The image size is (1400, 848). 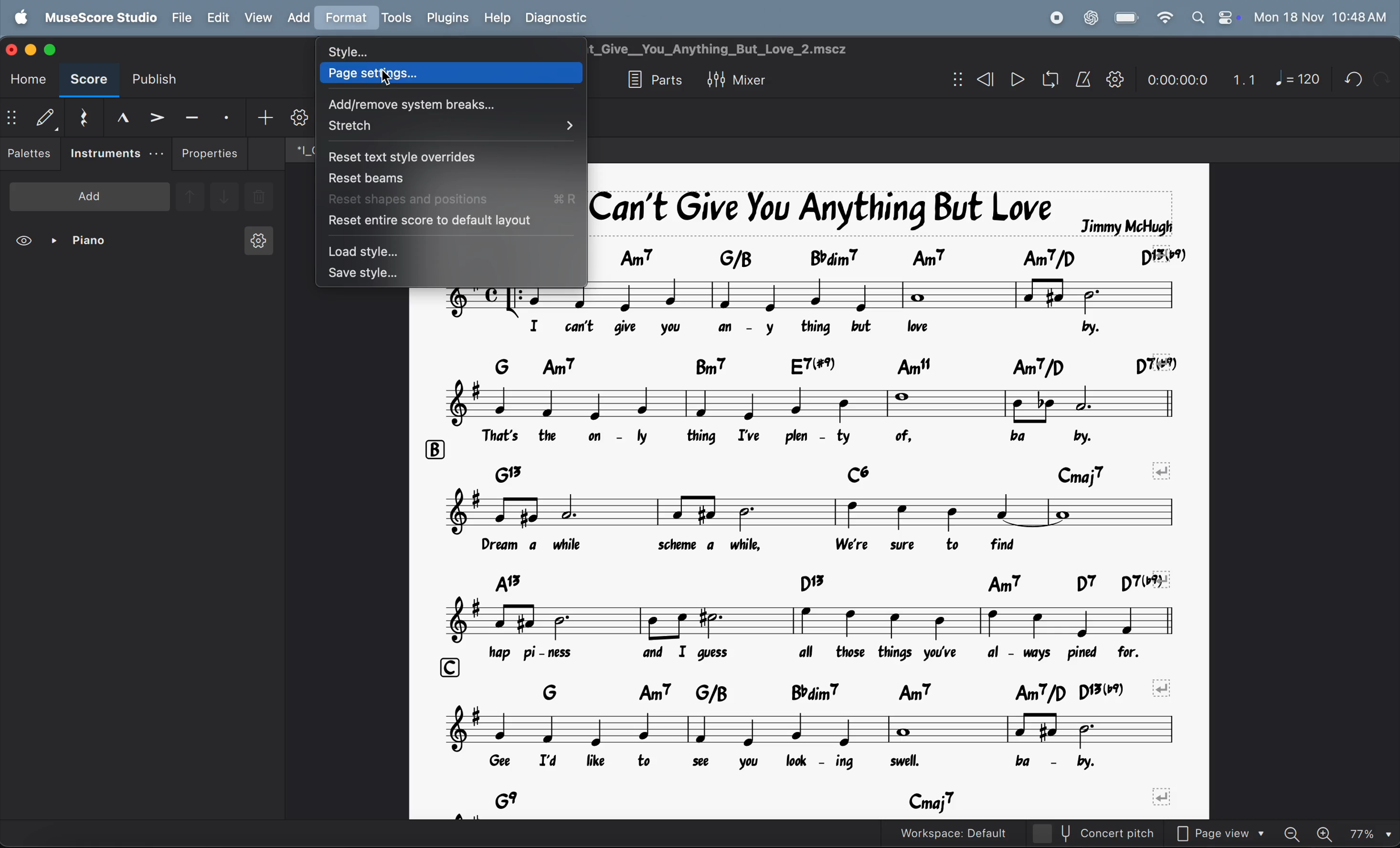 I want to click on file, so click(x=182, y=17).